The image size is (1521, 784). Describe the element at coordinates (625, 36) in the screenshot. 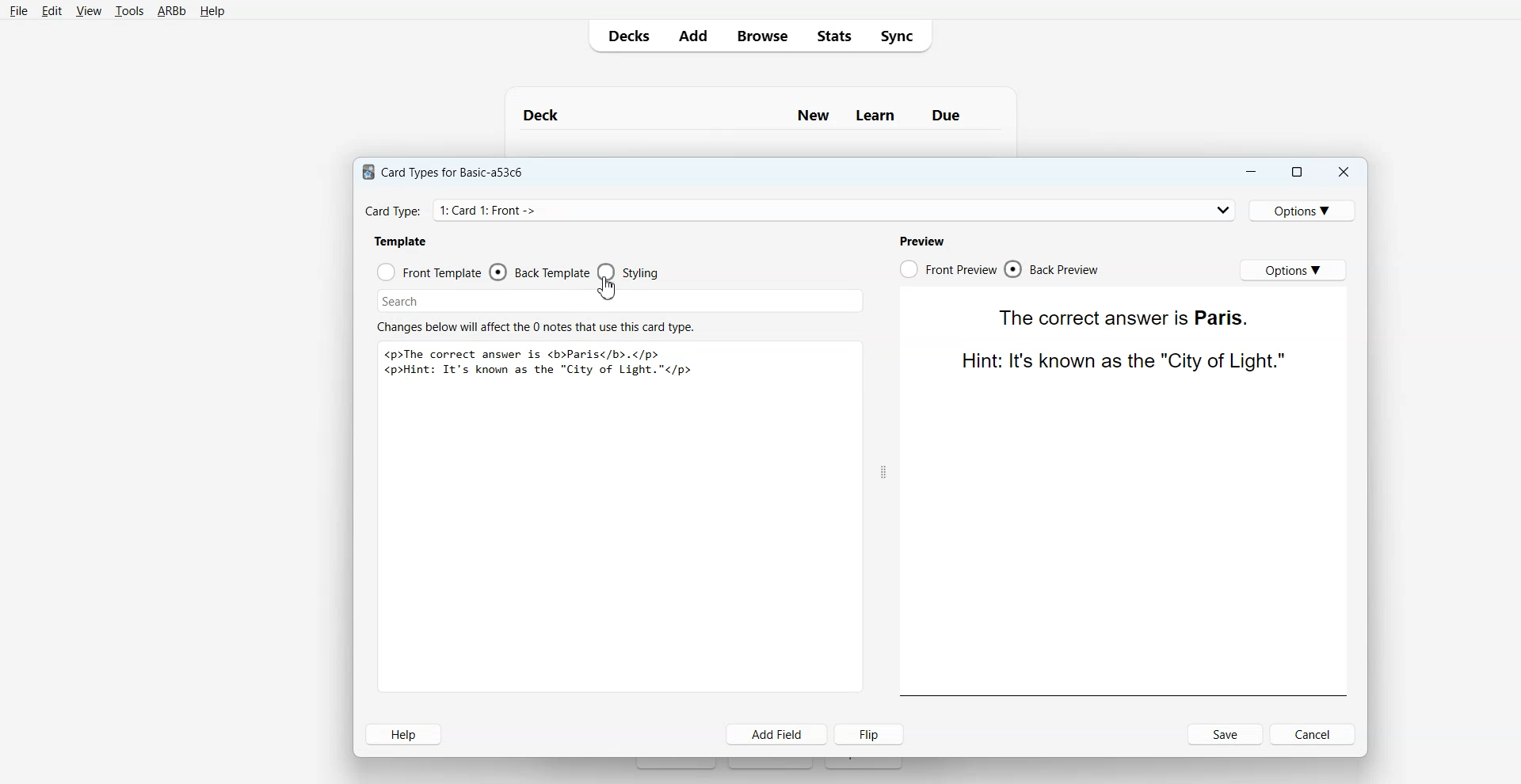

I see `Decks` at that location.